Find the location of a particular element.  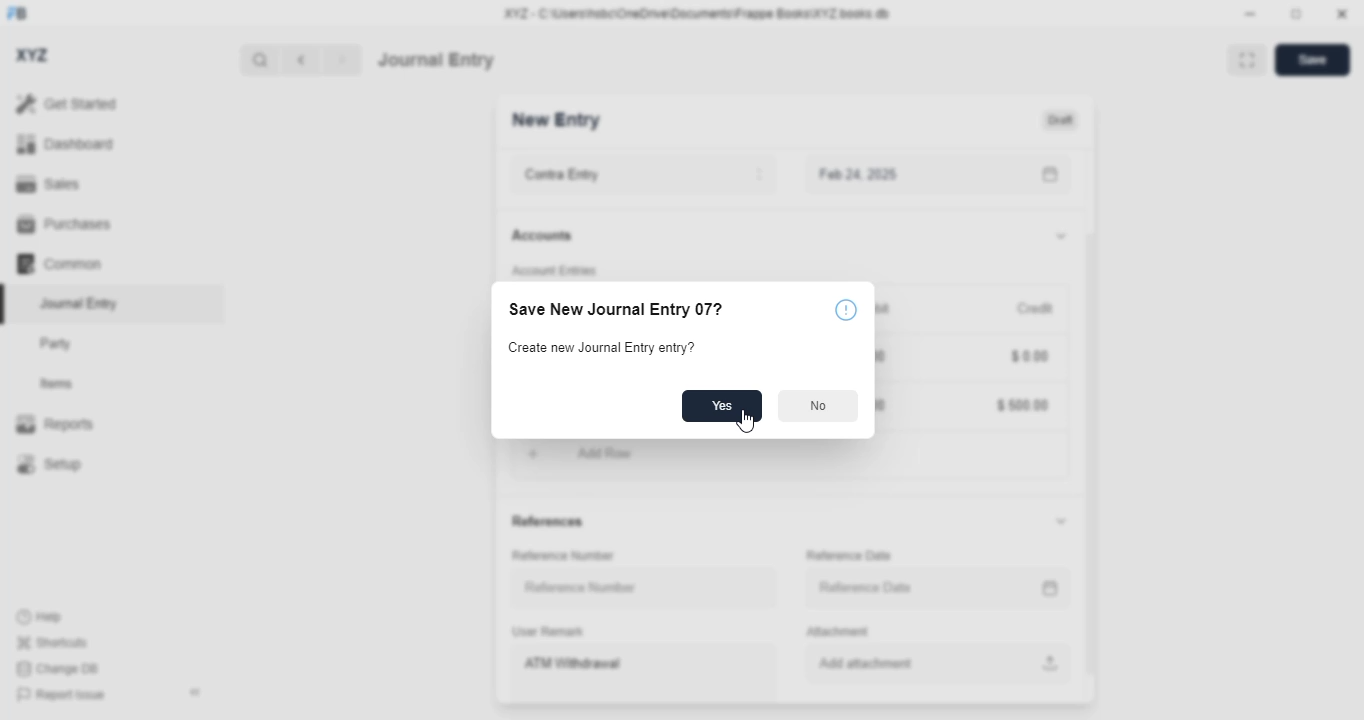

yes is located at coordinates (722, 405).